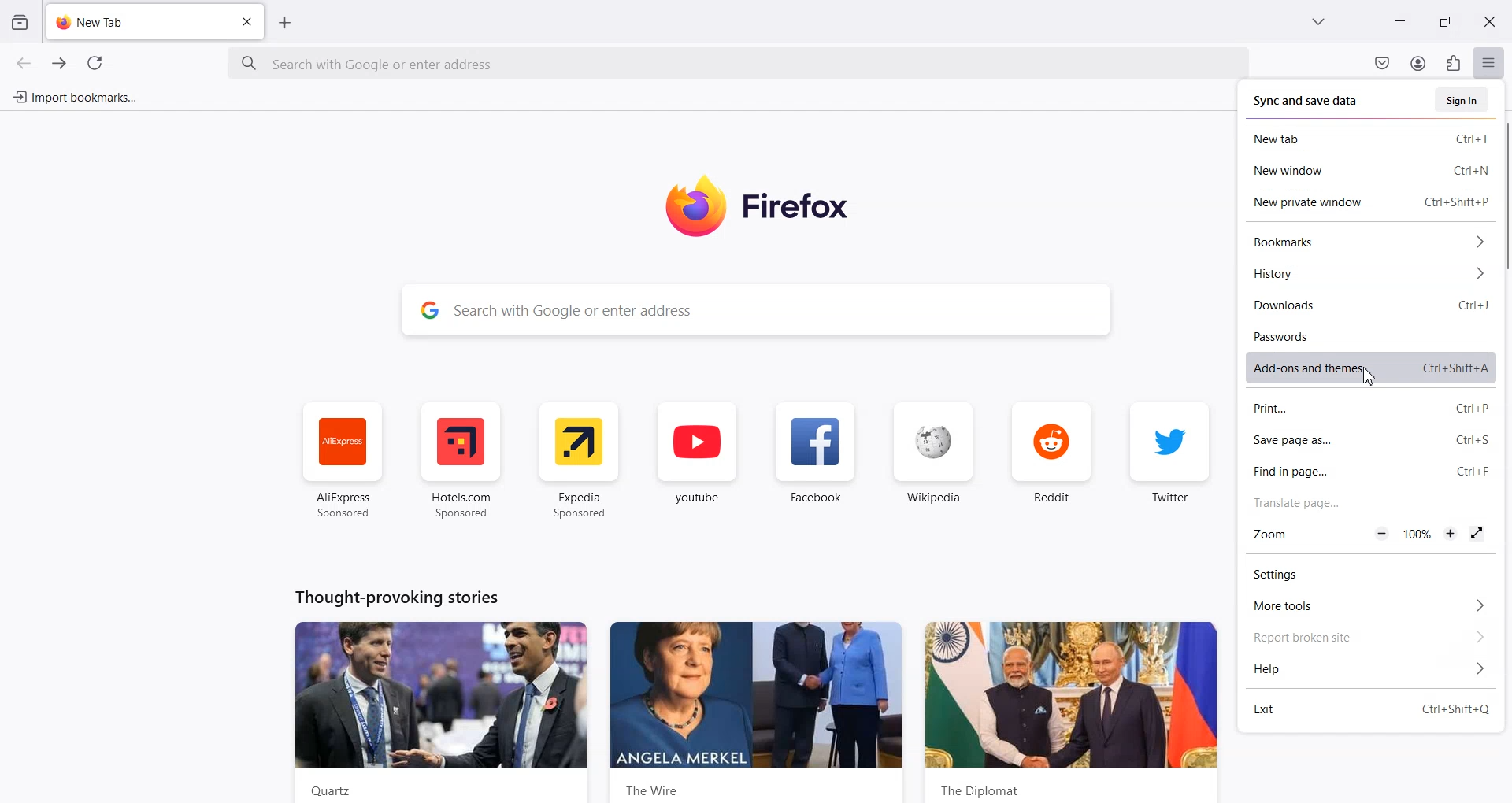  What do you see at coordinates (286, 23) in the screenshot?
I see `Add New Tab` at bounding box center [286, 23].